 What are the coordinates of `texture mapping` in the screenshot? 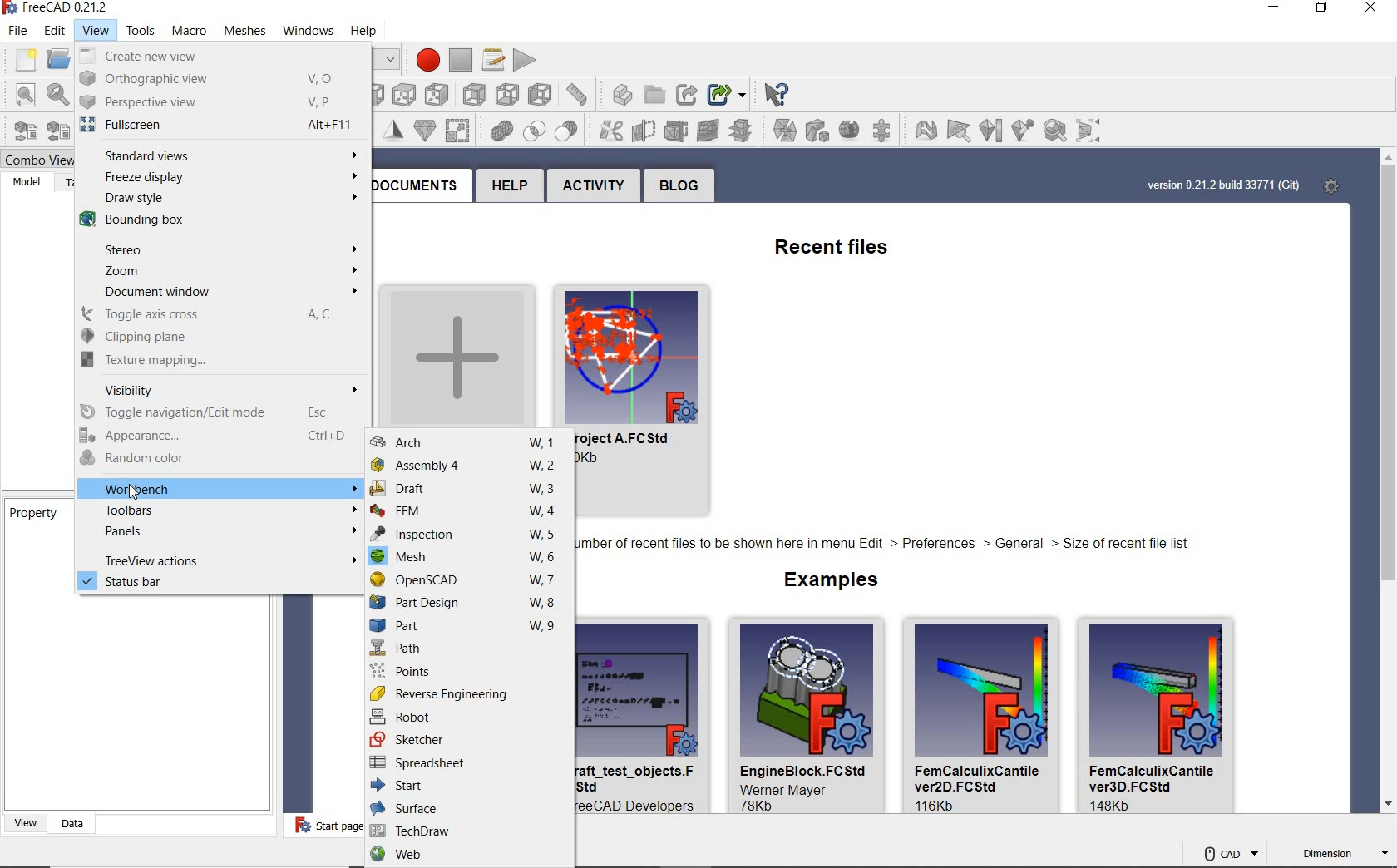 It's located at (210, 359).